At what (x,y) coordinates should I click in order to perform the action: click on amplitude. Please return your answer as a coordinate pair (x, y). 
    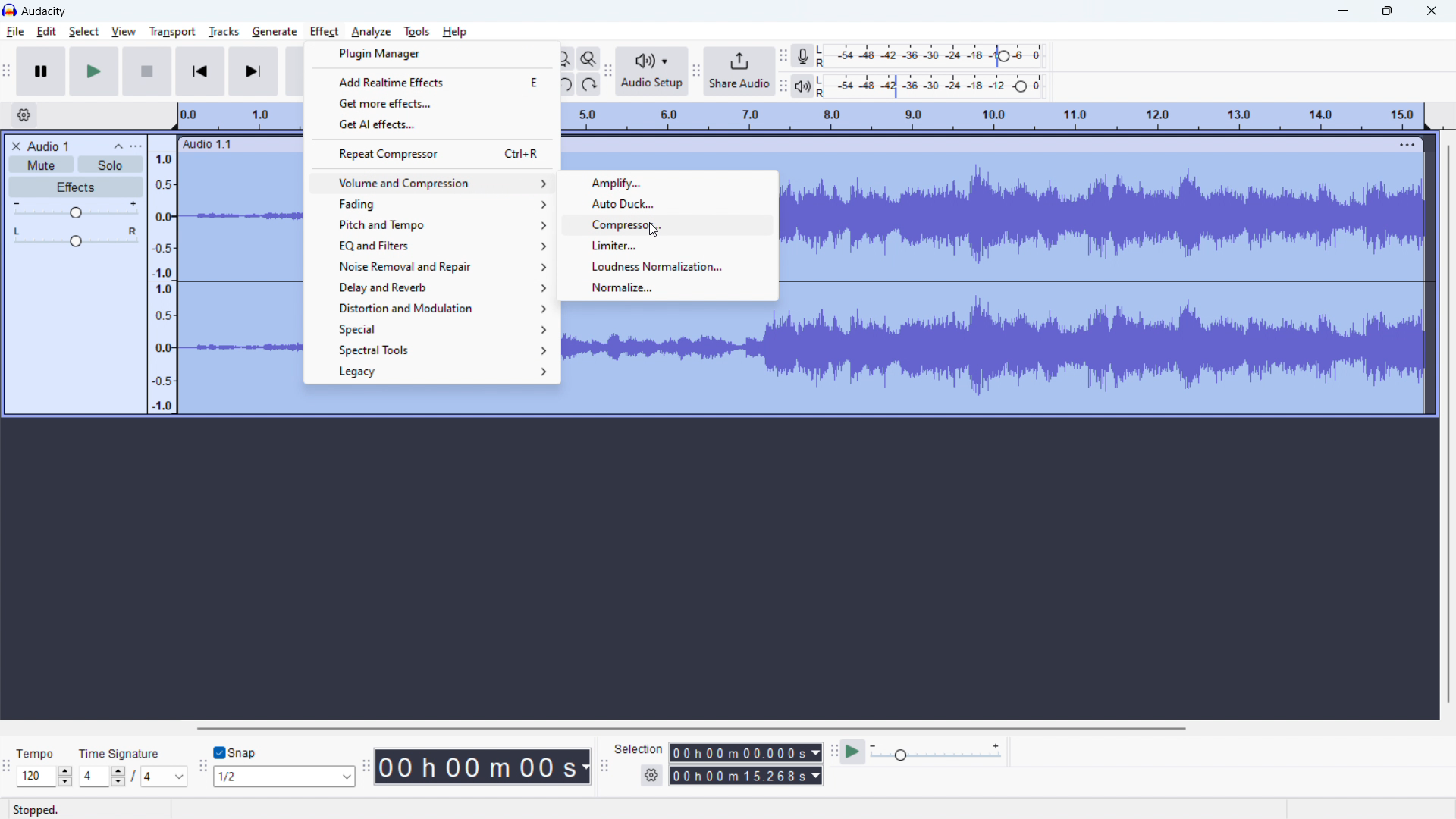
    Looking at the image, I should click on (162, 273).